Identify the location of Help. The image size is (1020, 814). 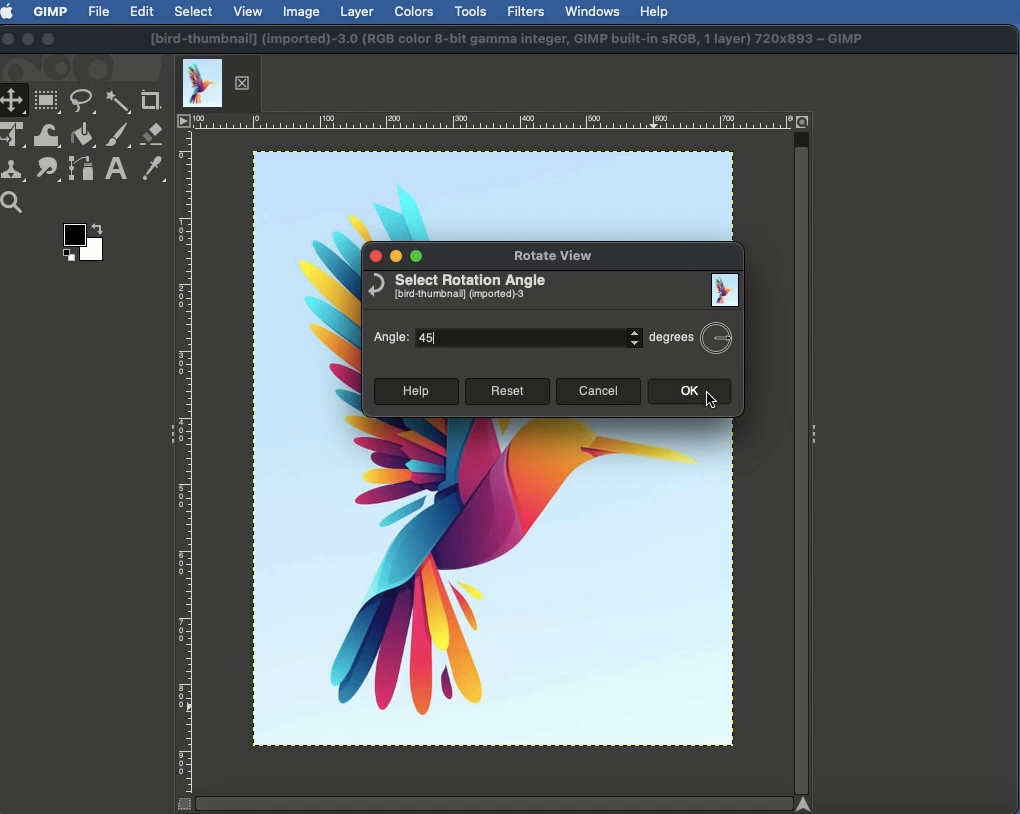
(654, 10).